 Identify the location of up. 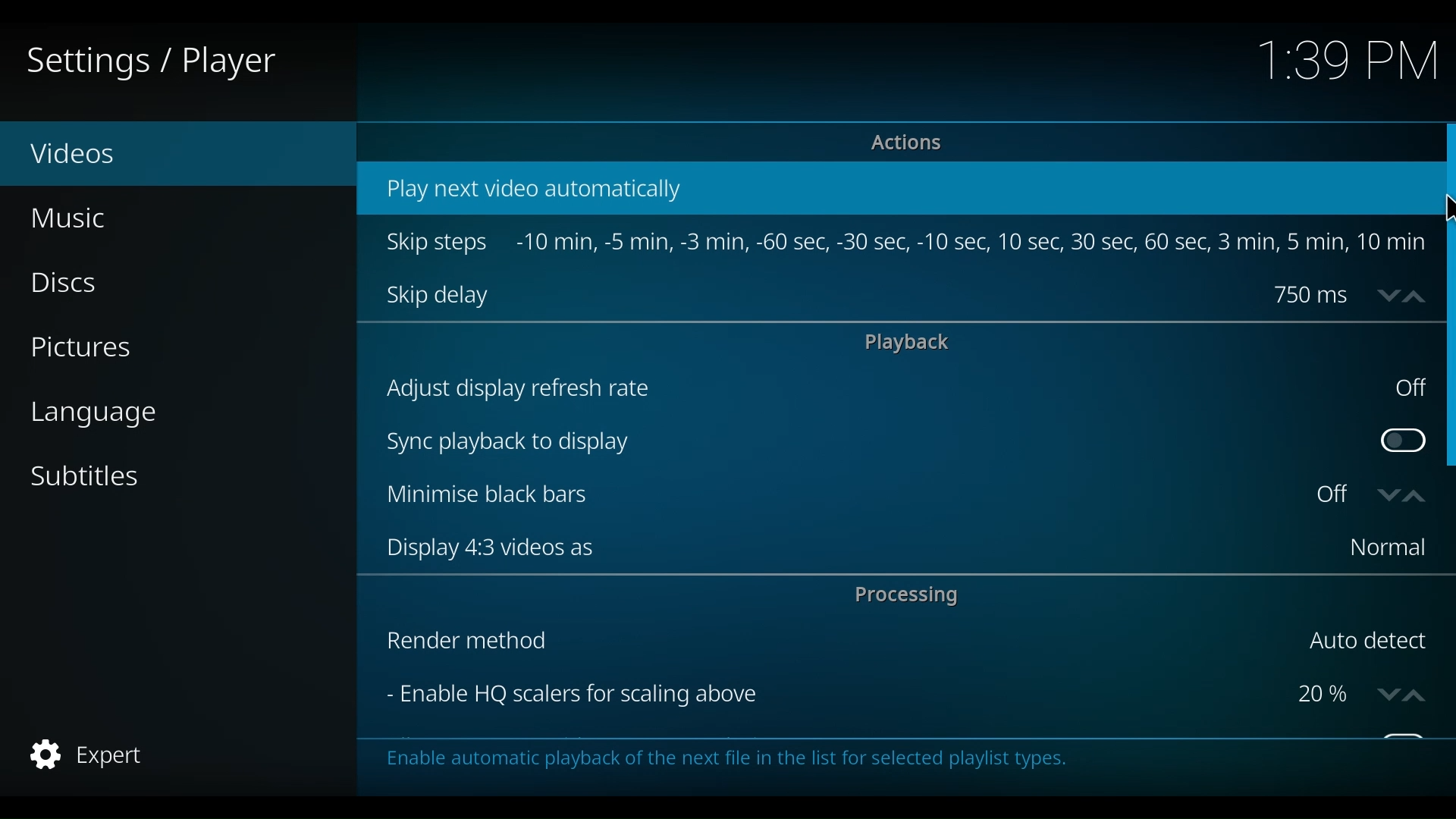
(1421, 295).